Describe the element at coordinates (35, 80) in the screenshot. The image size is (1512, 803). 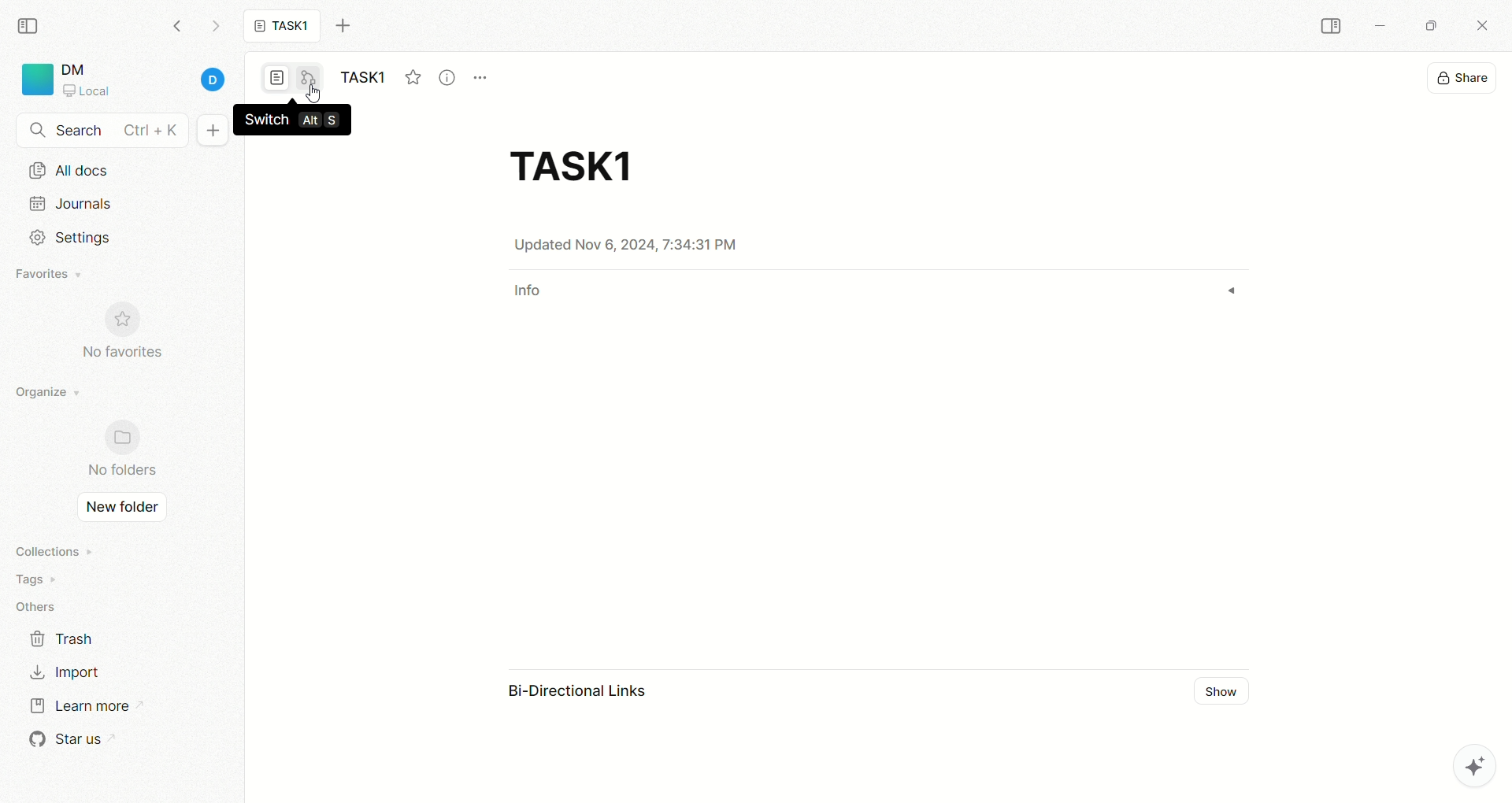
I see `logo` at that location.